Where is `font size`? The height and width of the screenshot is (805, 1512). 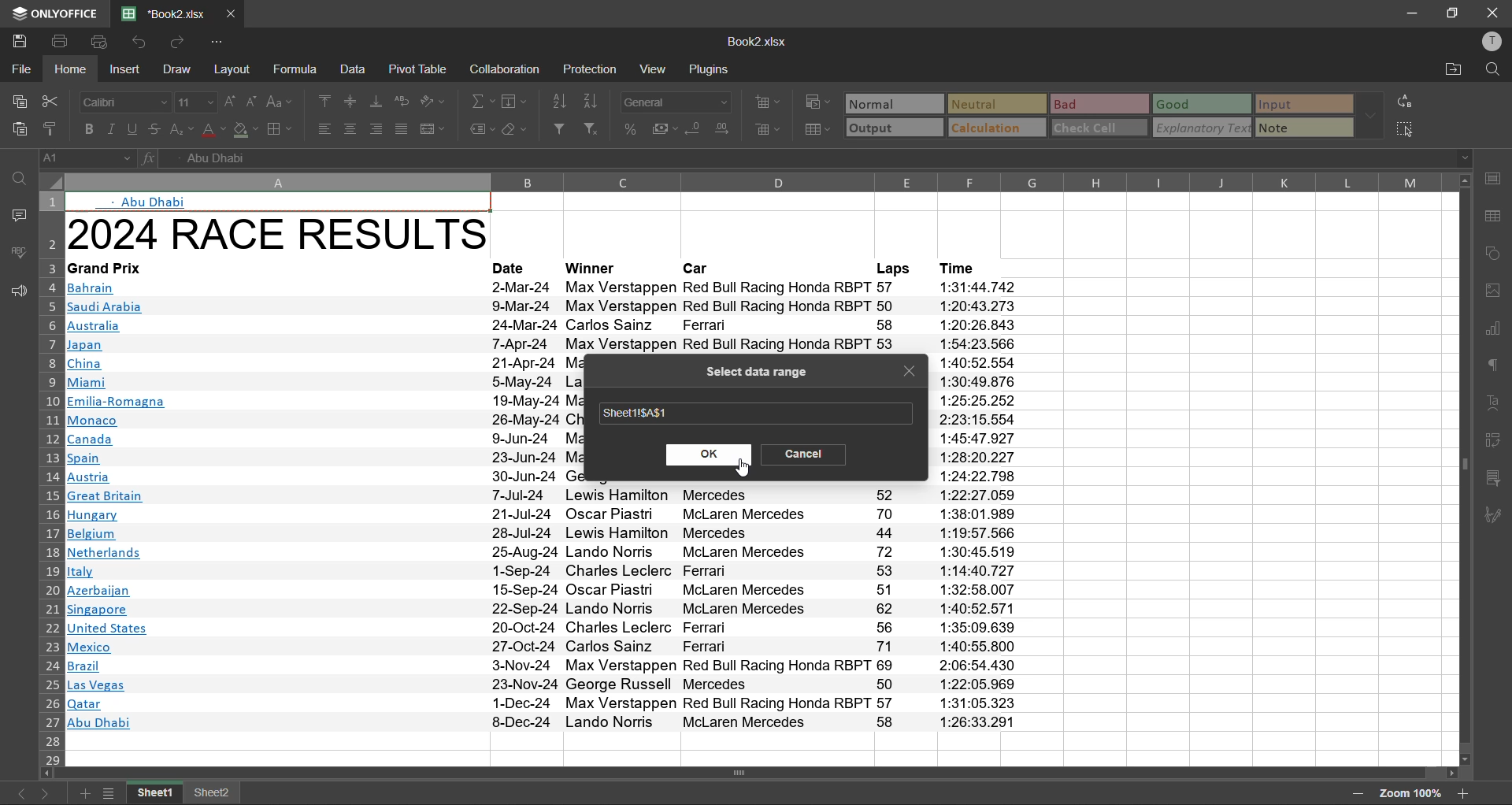
font size is located at coordinates (198, 101).